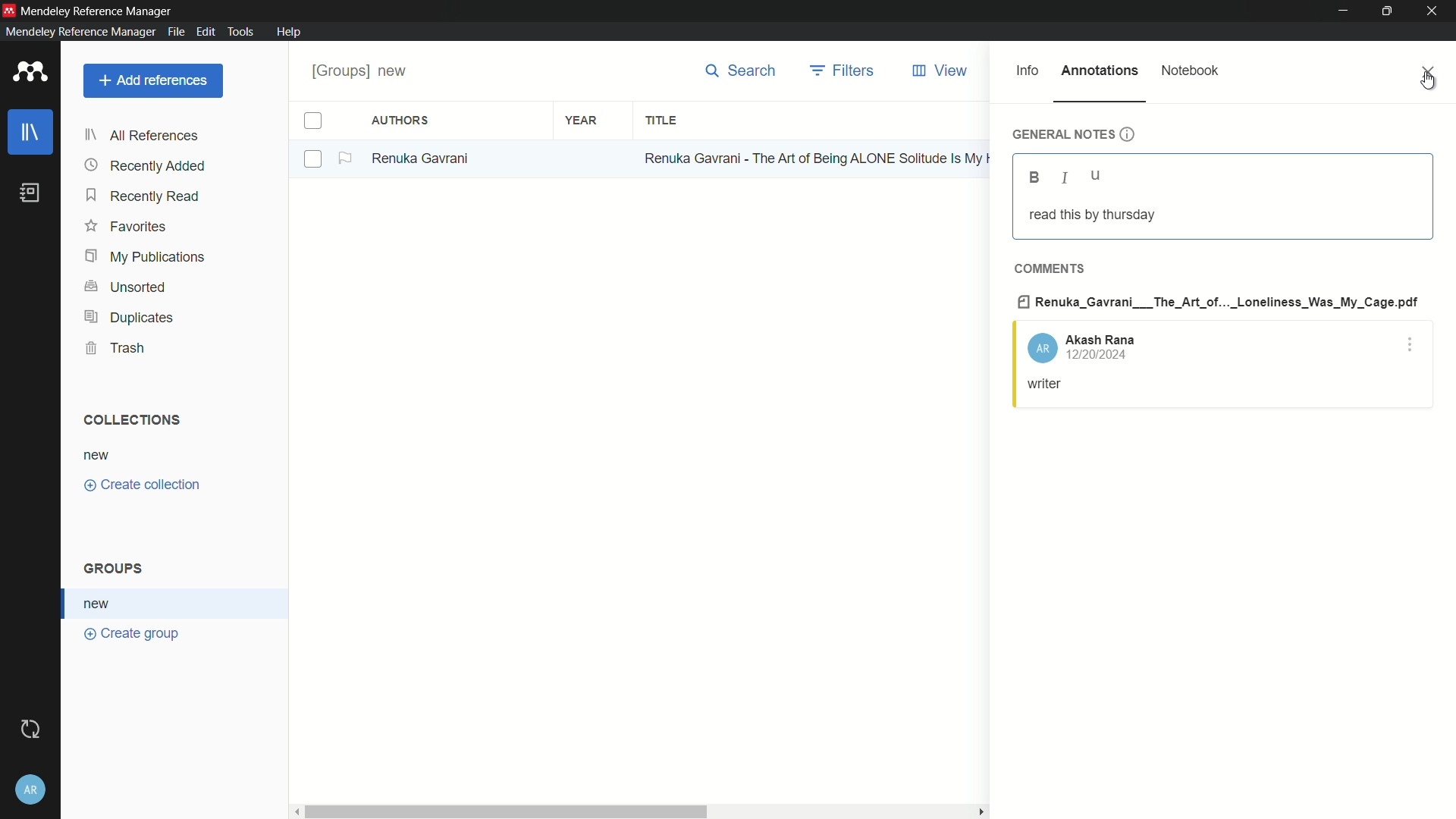  Describe the element at coordinates (402, 121) in the screenshot. I see `authors` at that location.